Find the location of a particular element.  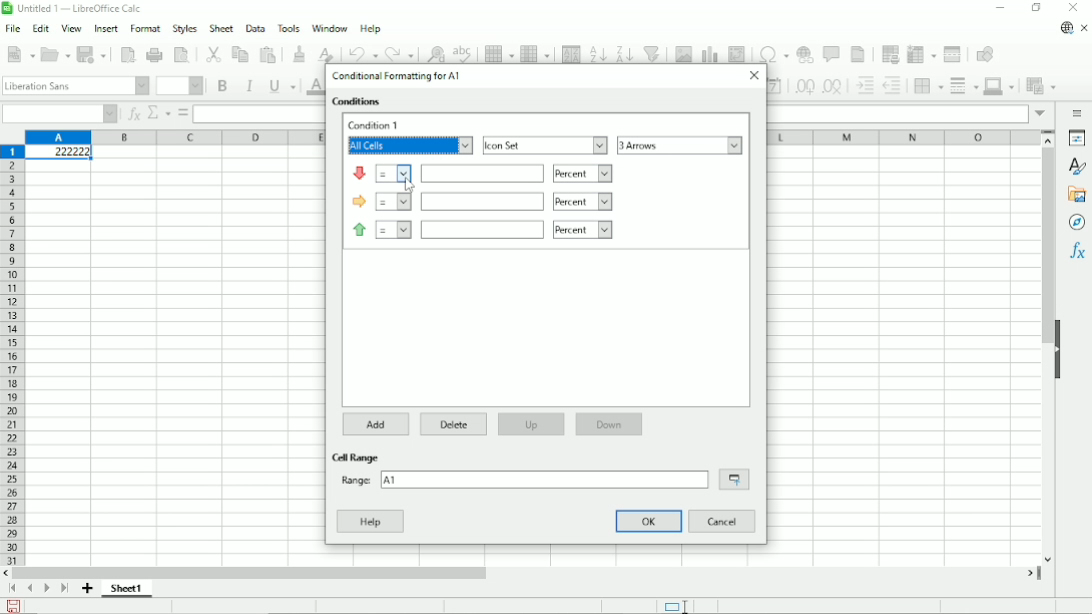

Add decimal place is located at coordinates (803, 87).